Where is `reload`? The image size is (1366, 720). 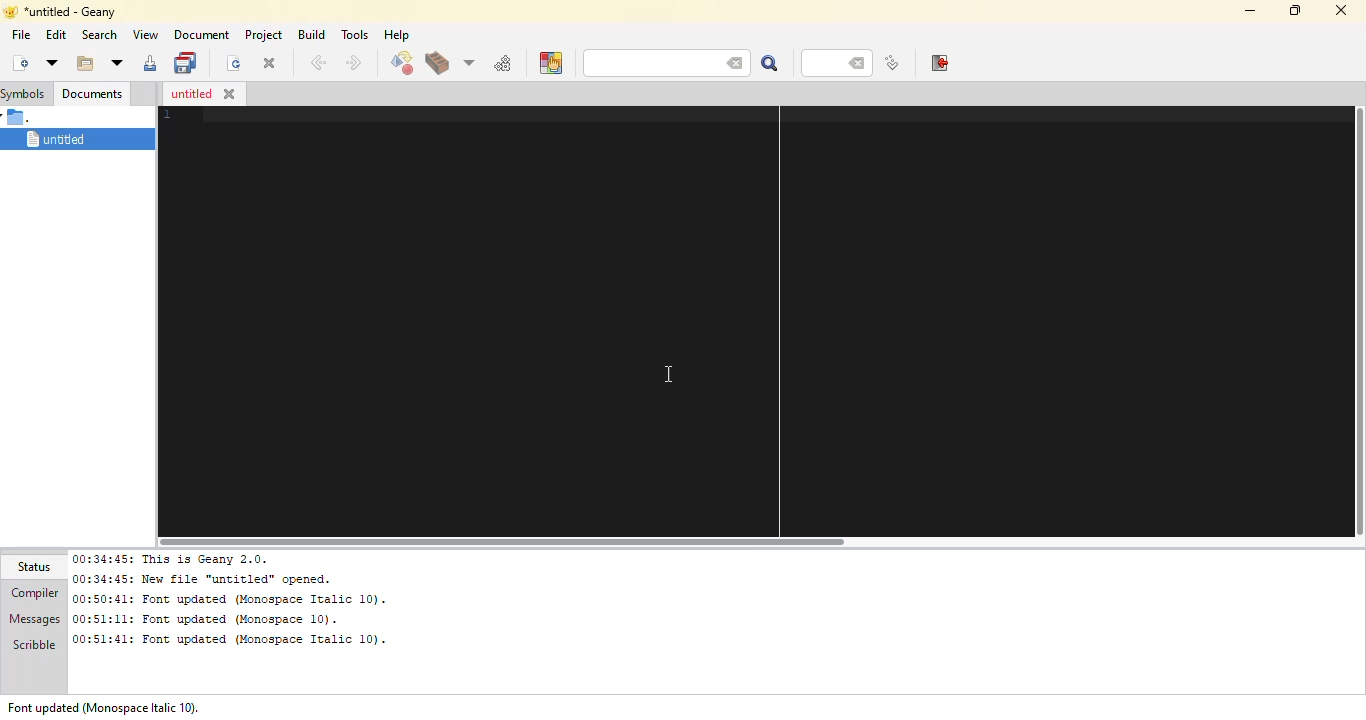
reload is located at coordinates (230, 63).